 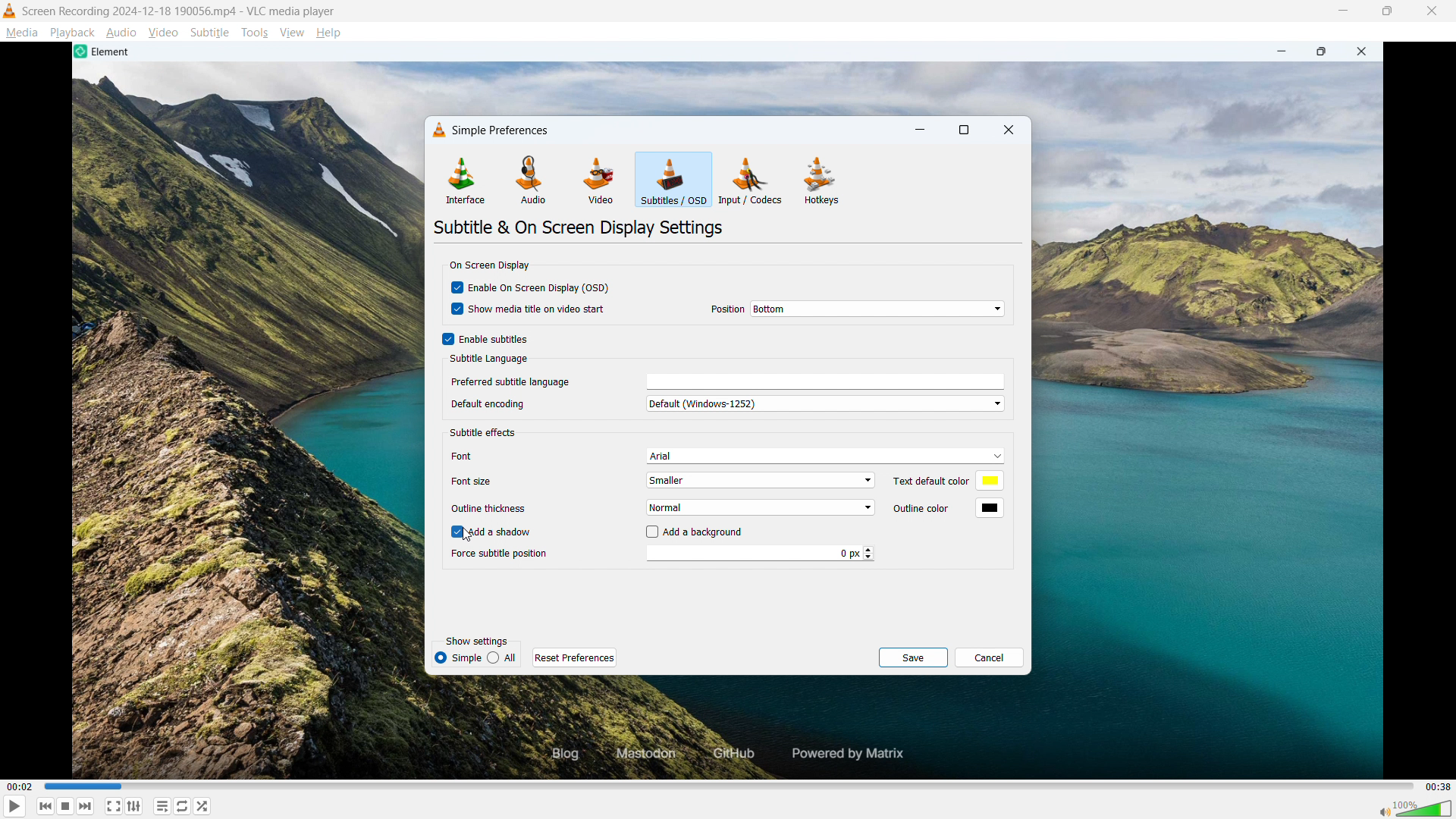 What do you see at coordinates (761, 553) in the screenshot?
I see `0px` at bounding box center [761, 553].